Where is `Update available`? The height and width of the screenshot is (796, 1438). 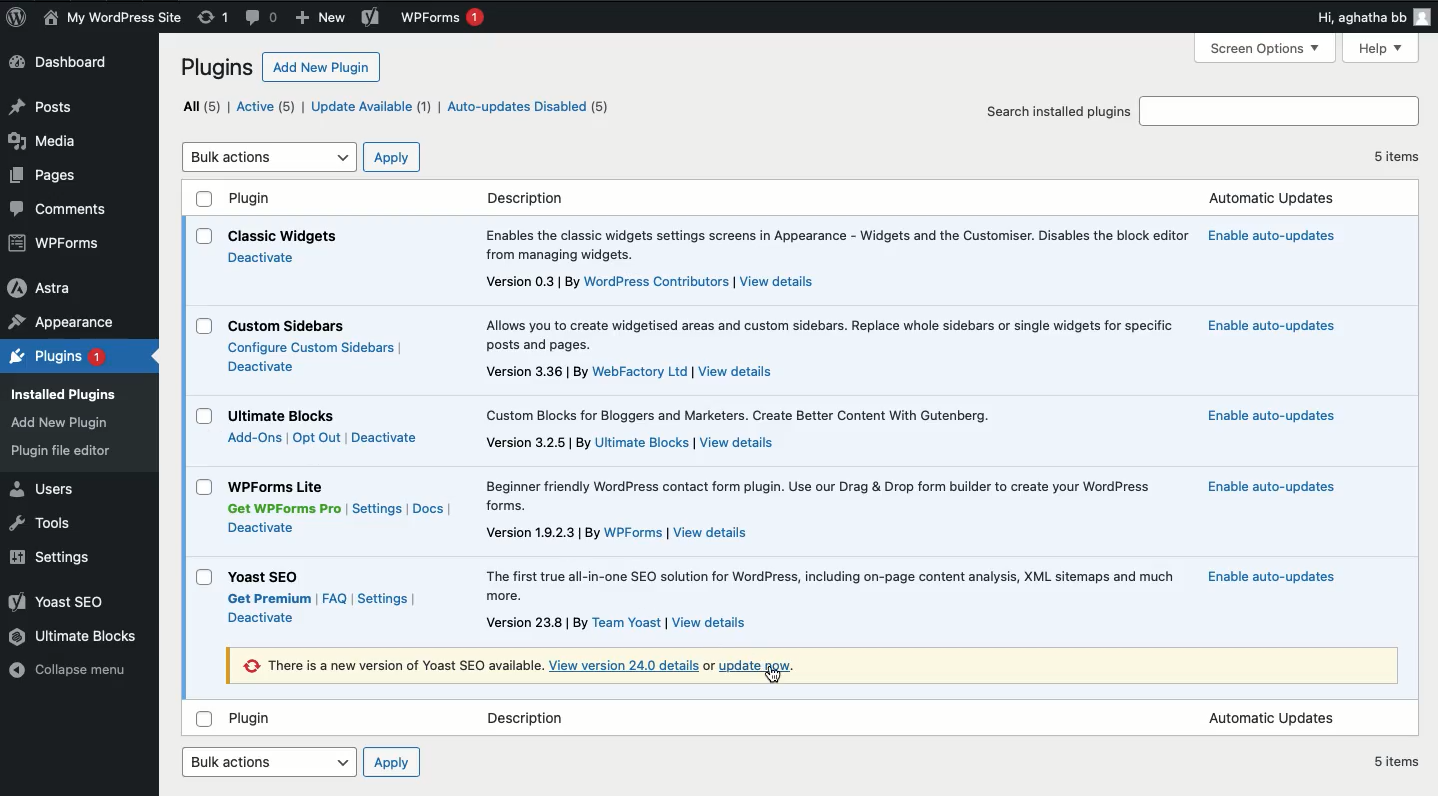
Update available is located at coordinates (371, 107).